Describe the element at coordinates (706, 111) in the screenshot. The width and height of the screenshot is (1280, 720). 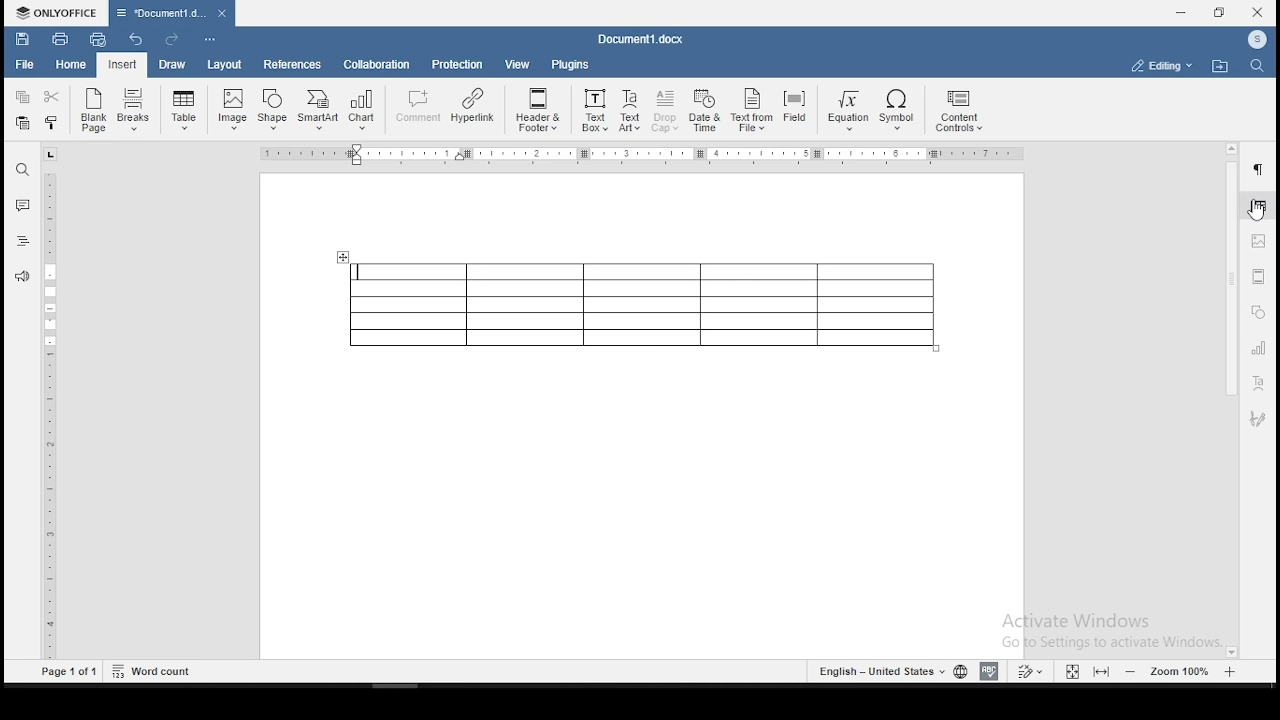
I see `Date & Time` at that location.